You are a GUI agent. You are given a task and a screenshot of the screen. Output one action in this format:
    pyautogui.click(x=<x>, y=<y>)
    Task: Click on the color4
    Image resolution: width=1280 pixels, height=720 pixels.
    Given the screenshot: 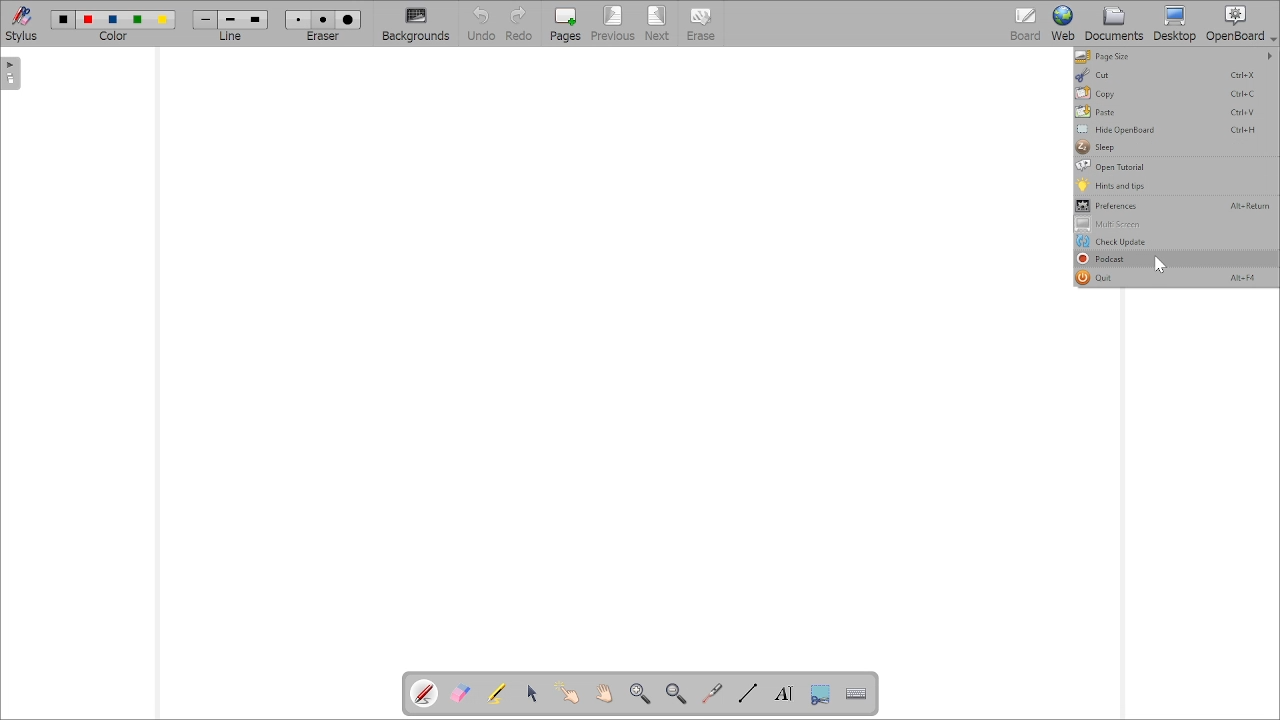 What is the action you would take?
    pyautogui.click(x=136, y=21)
    